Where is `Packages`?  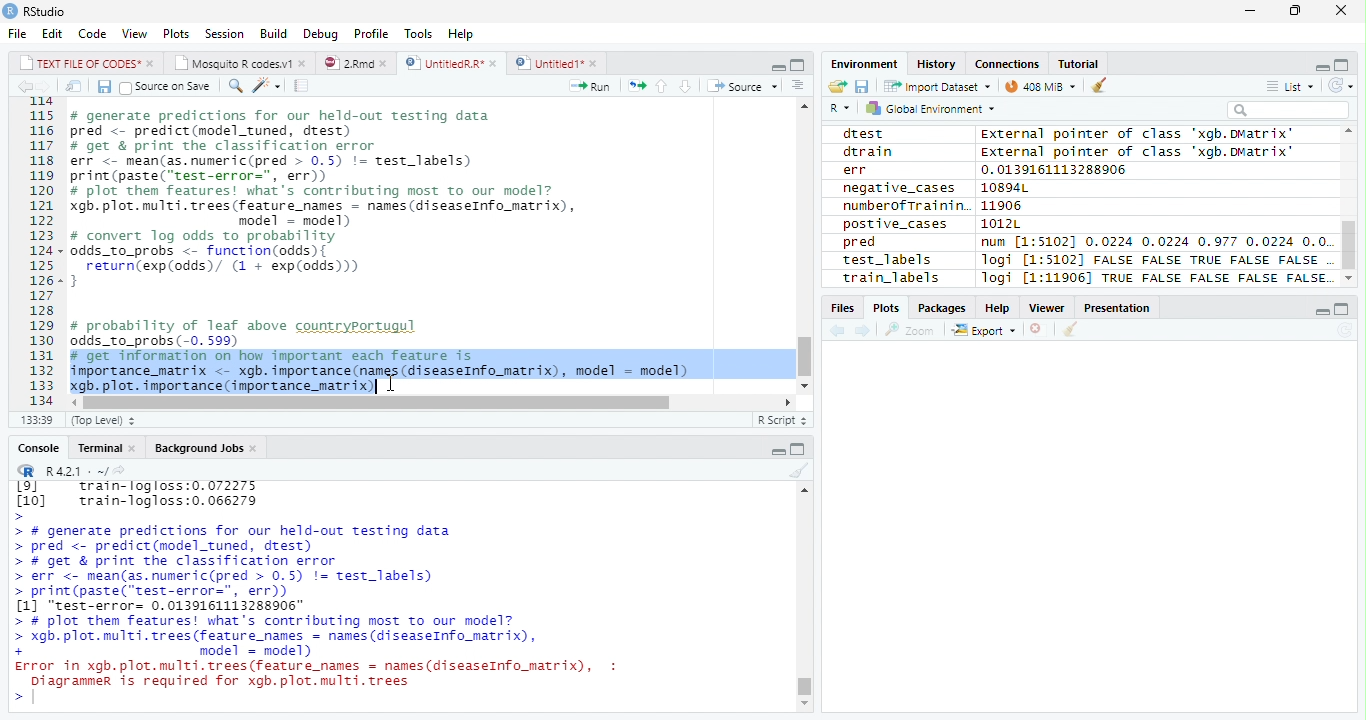 Packages is located at coordinates (942, 308).